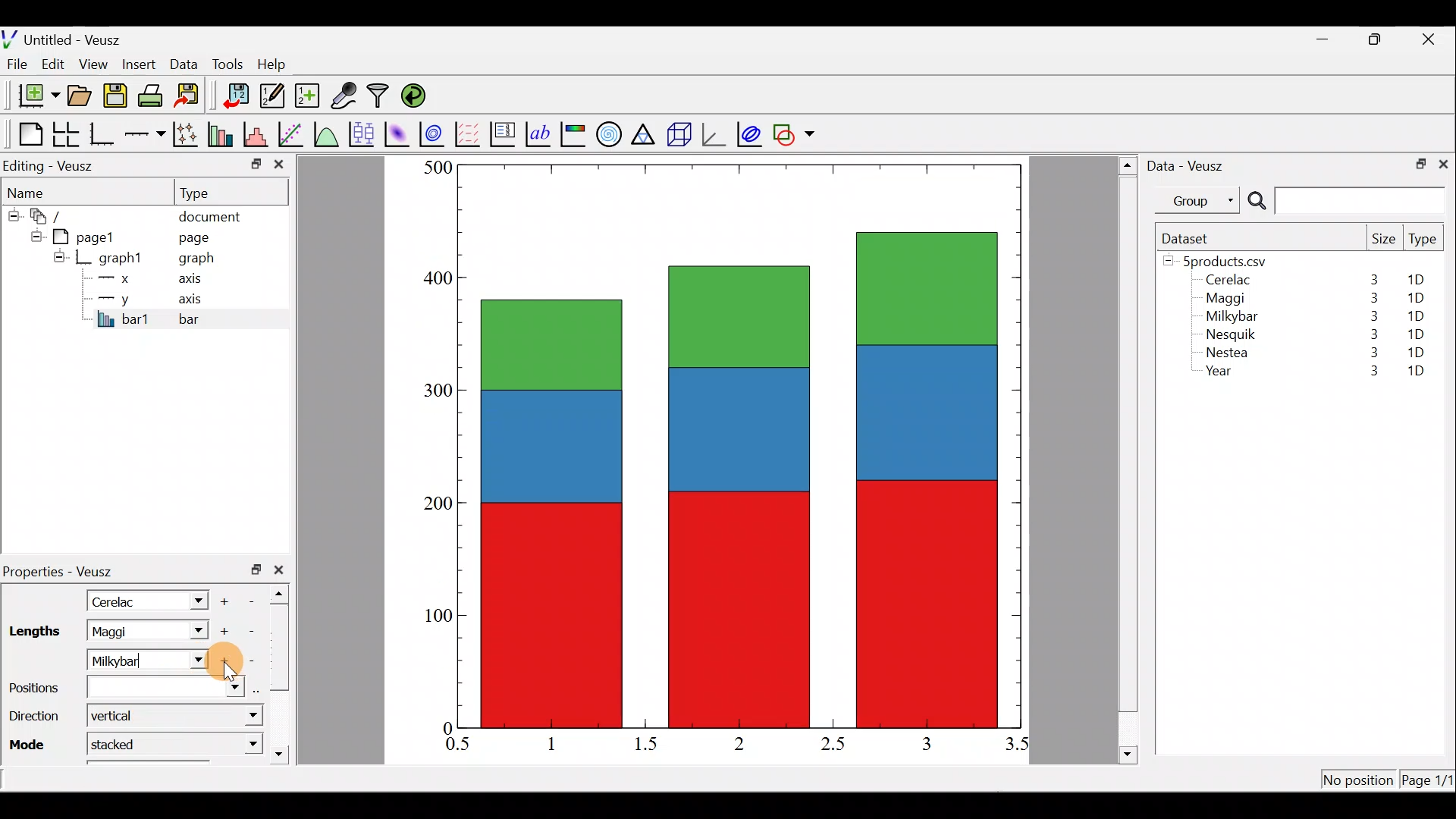 The image size is (1456, 819). Describe the element at coordinates (237, 96) in the screenshot. I see `Import data into veusz` at that location.